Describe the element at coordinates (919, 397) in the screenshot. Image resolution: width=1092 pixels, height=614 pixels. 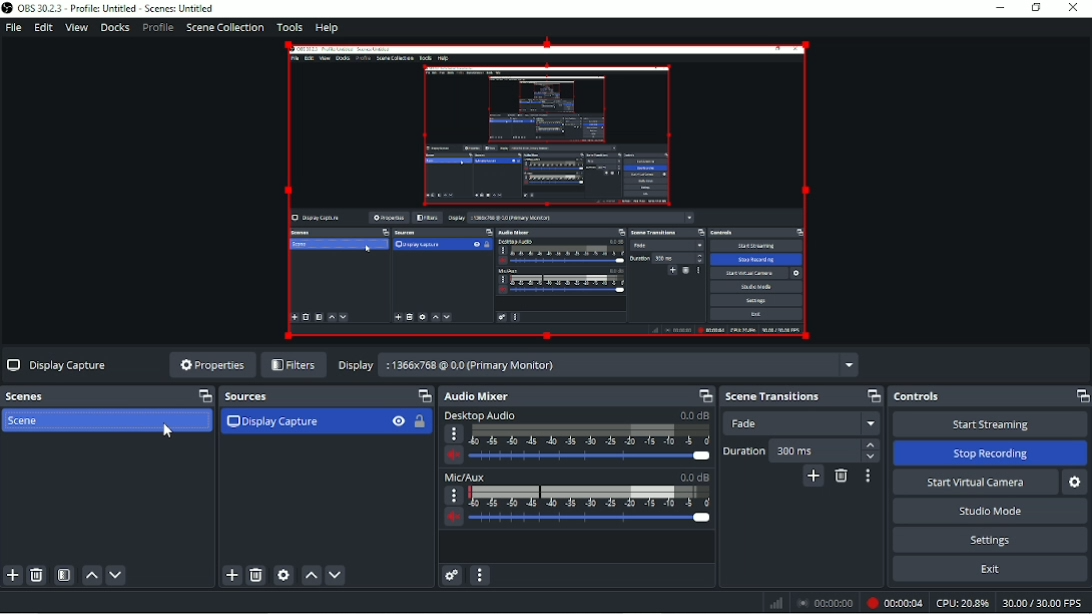
I see `Controls` at that location.